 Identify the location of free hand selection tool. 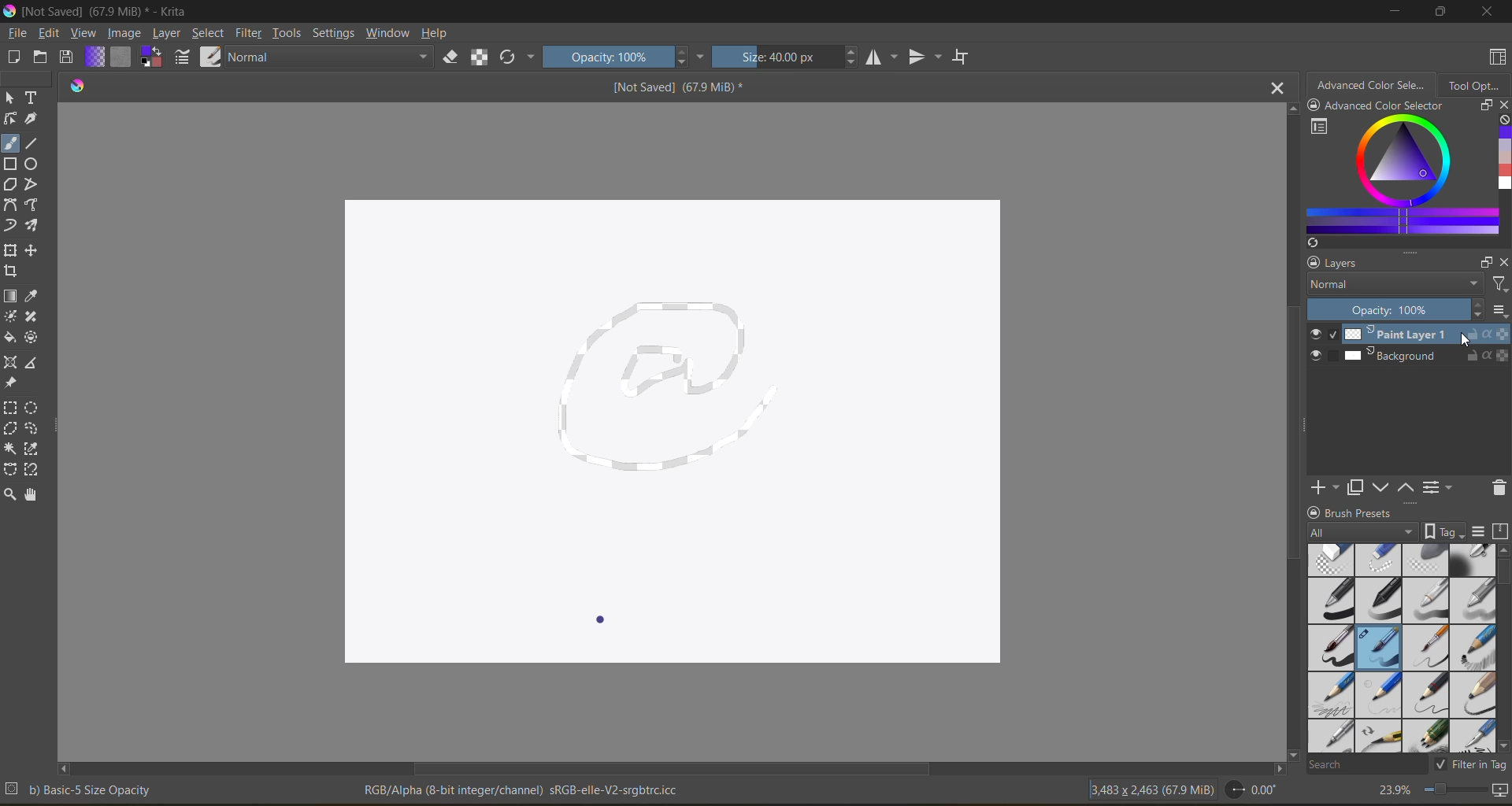
(32, 427).